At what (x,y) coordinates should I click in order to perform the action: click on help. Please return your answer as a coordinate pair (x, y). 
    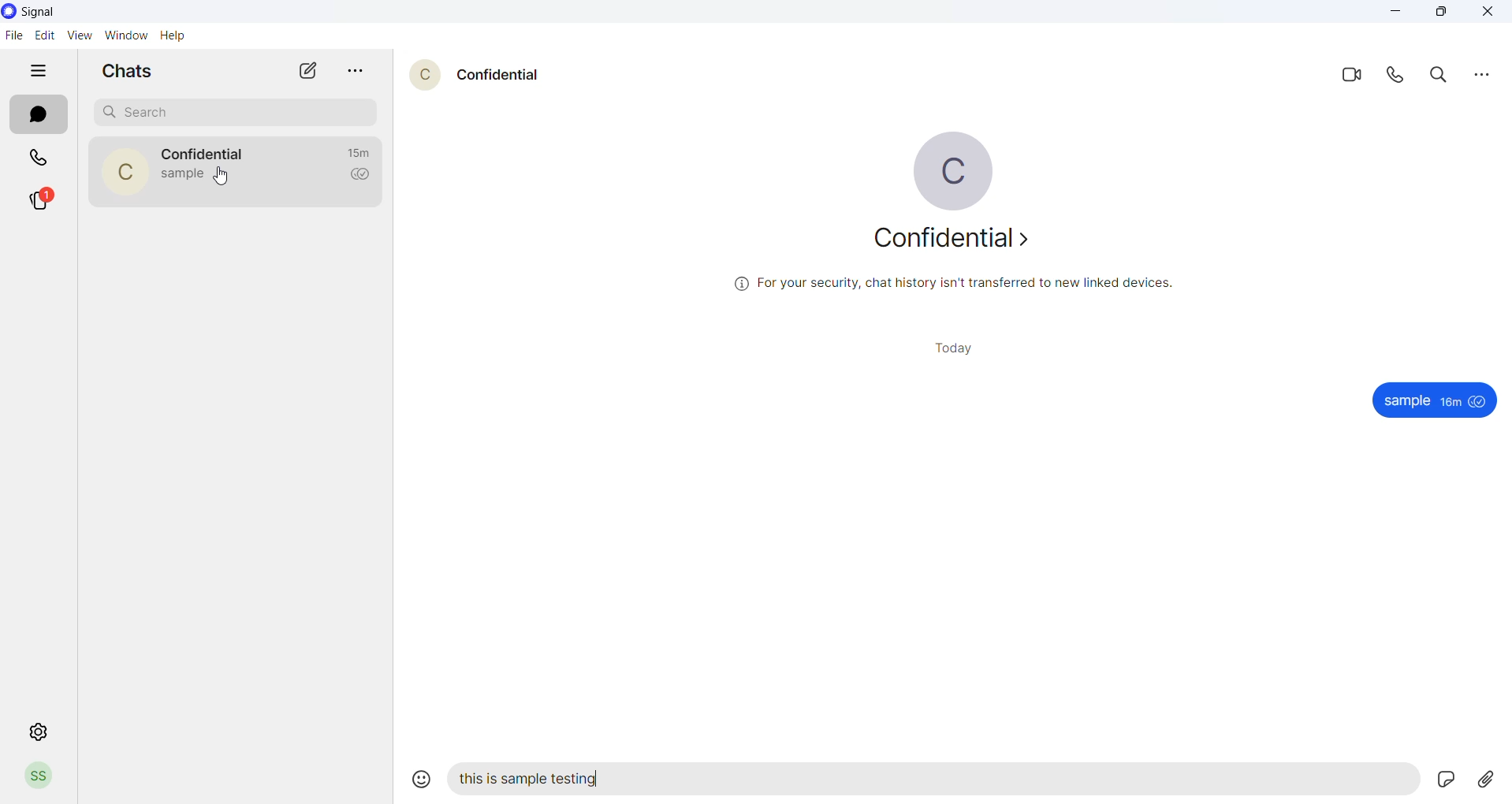
    Looking at the image, I should click on (177, 35).